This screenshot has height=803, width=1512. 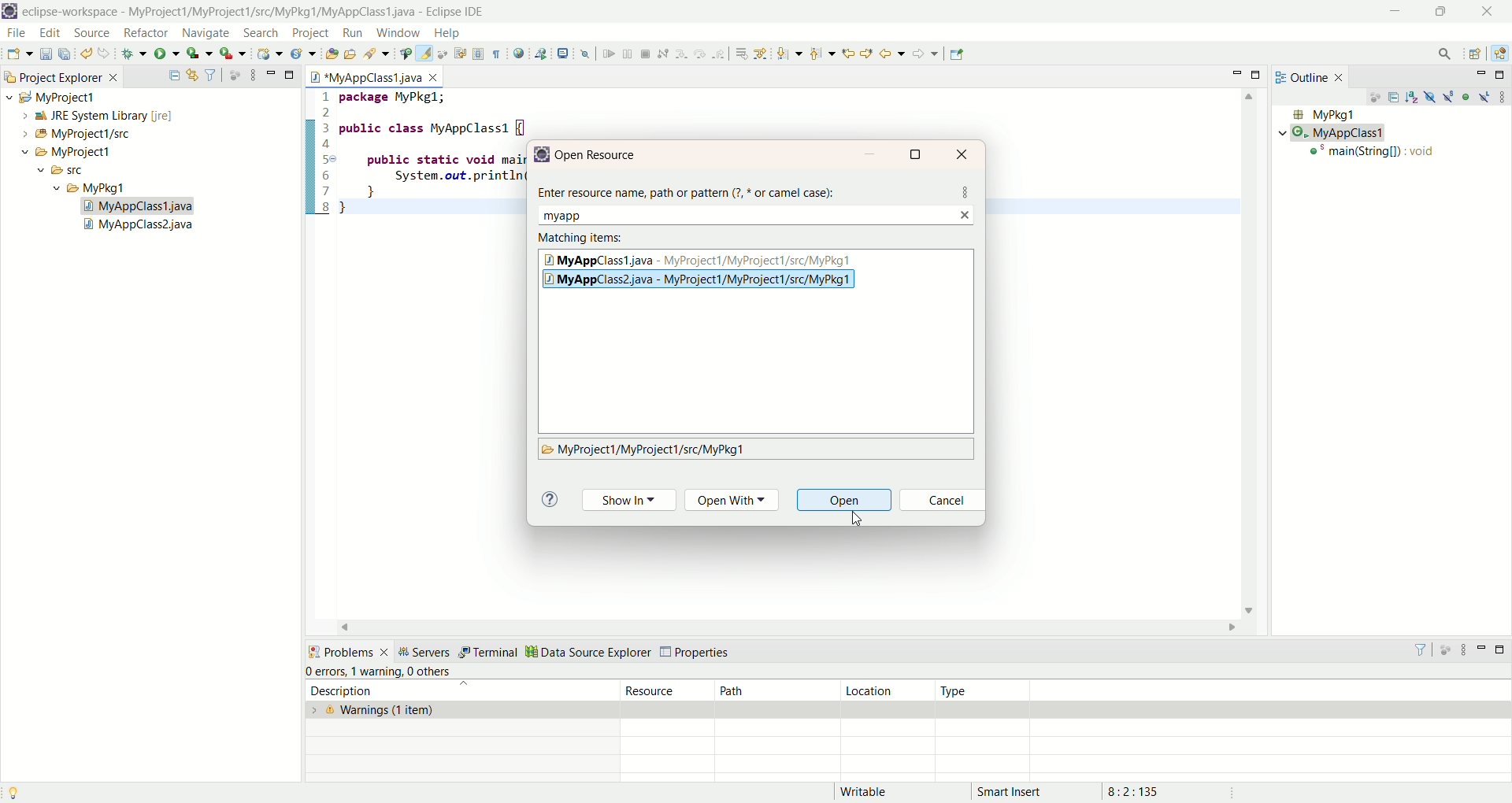 I want to click on run, so click(x=168, y=54).